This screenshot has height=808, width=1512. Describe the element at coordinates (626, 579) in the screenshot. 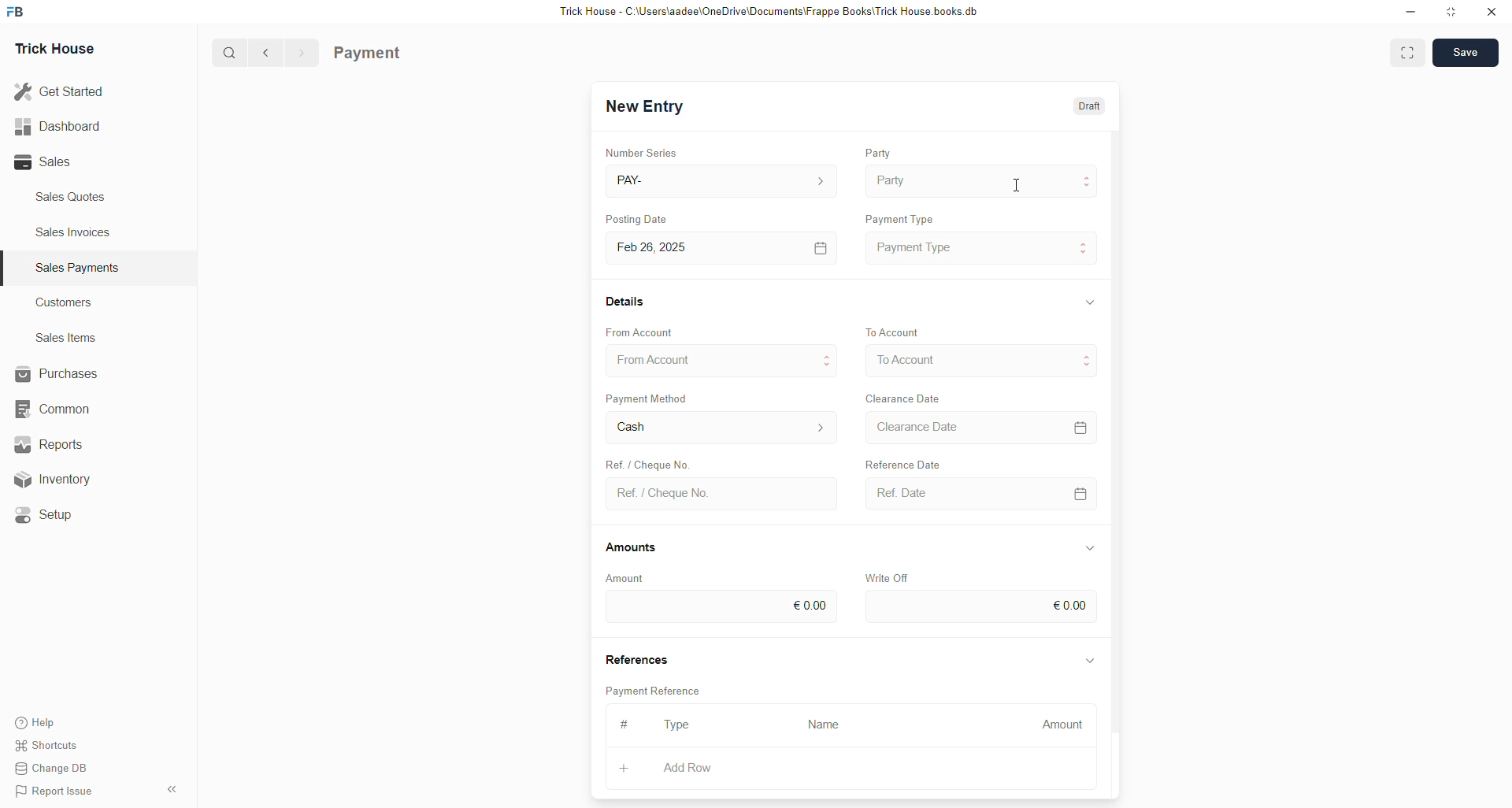

I see `Amount` at that location.